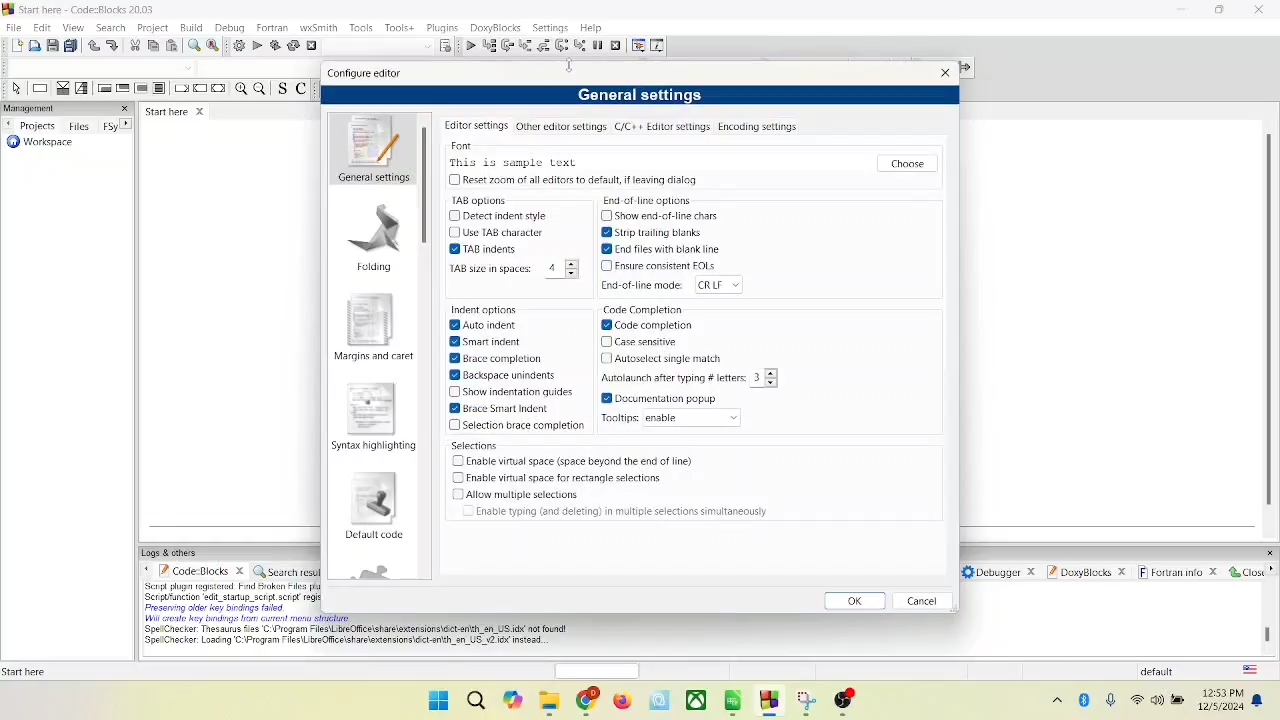 The image size is (1280, 720). Describe the element at coordinates (1091, 576) in the screenshot. I see `doxyblocks` at that location.